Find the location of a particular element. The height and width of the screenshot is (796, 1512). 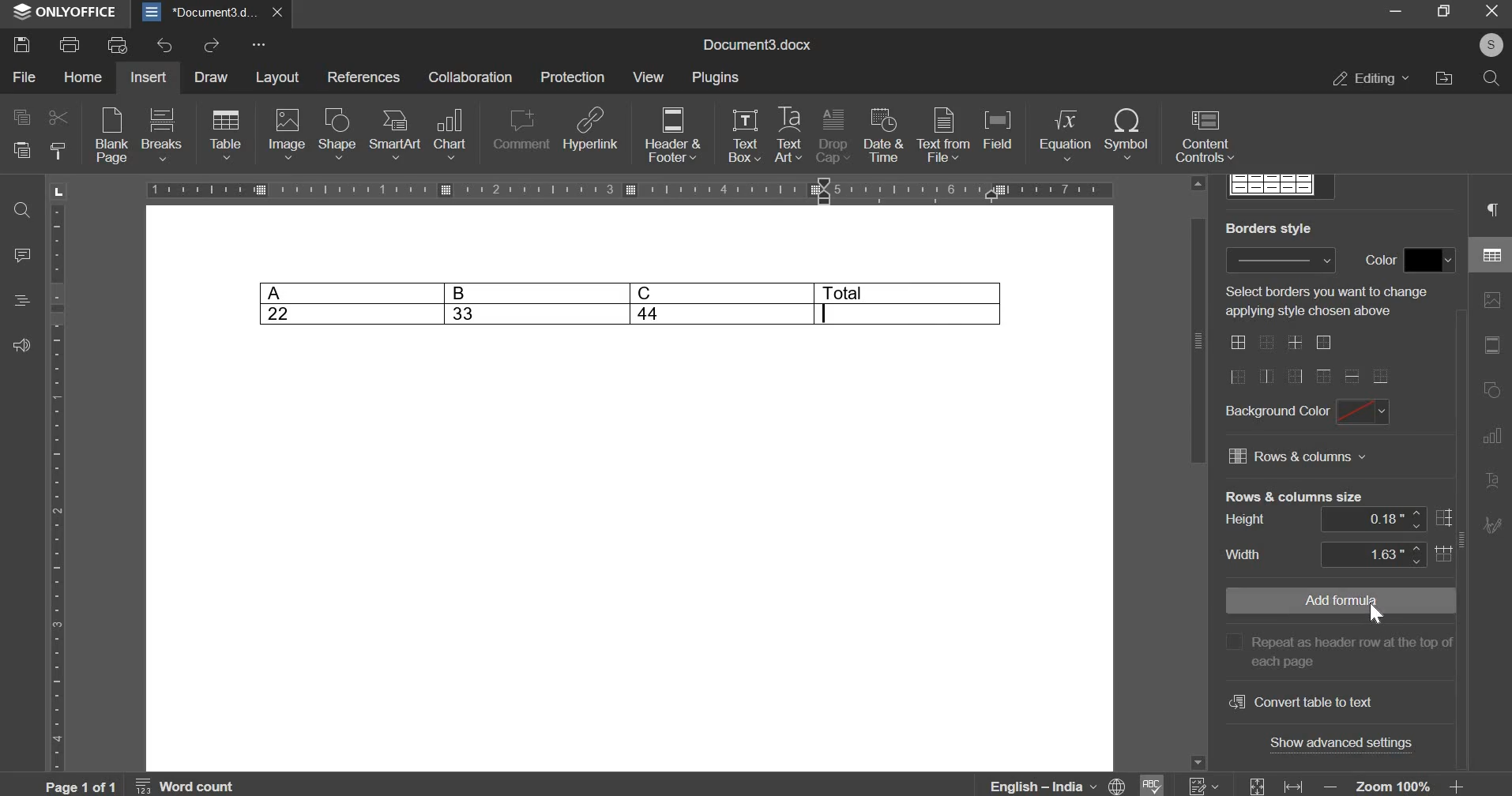

word count is located at coordinates (186, 786).